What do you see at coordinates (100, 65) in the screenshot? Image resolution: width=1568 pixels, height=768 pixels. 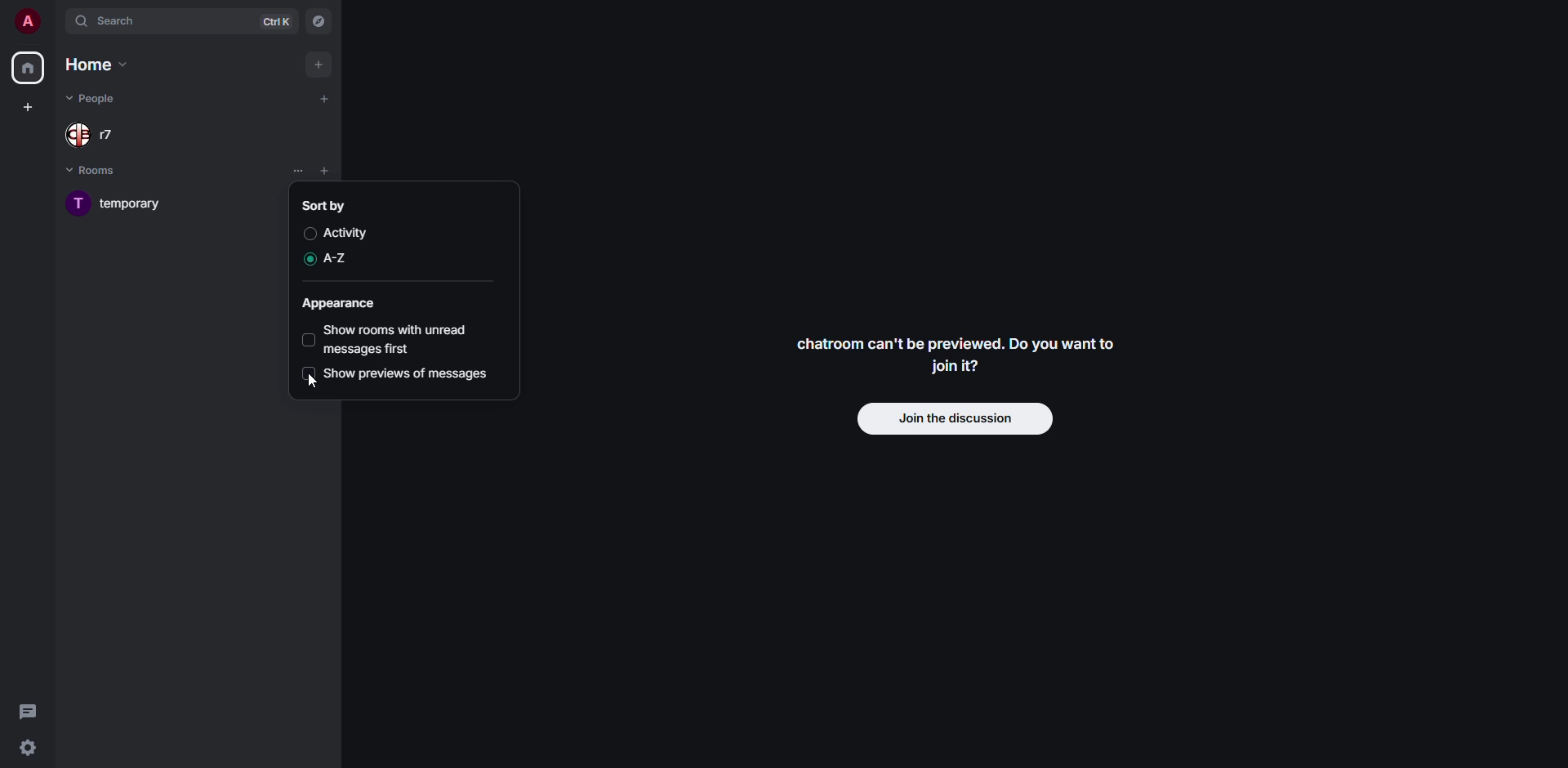 I see `home` at bounding box center [100, 65].